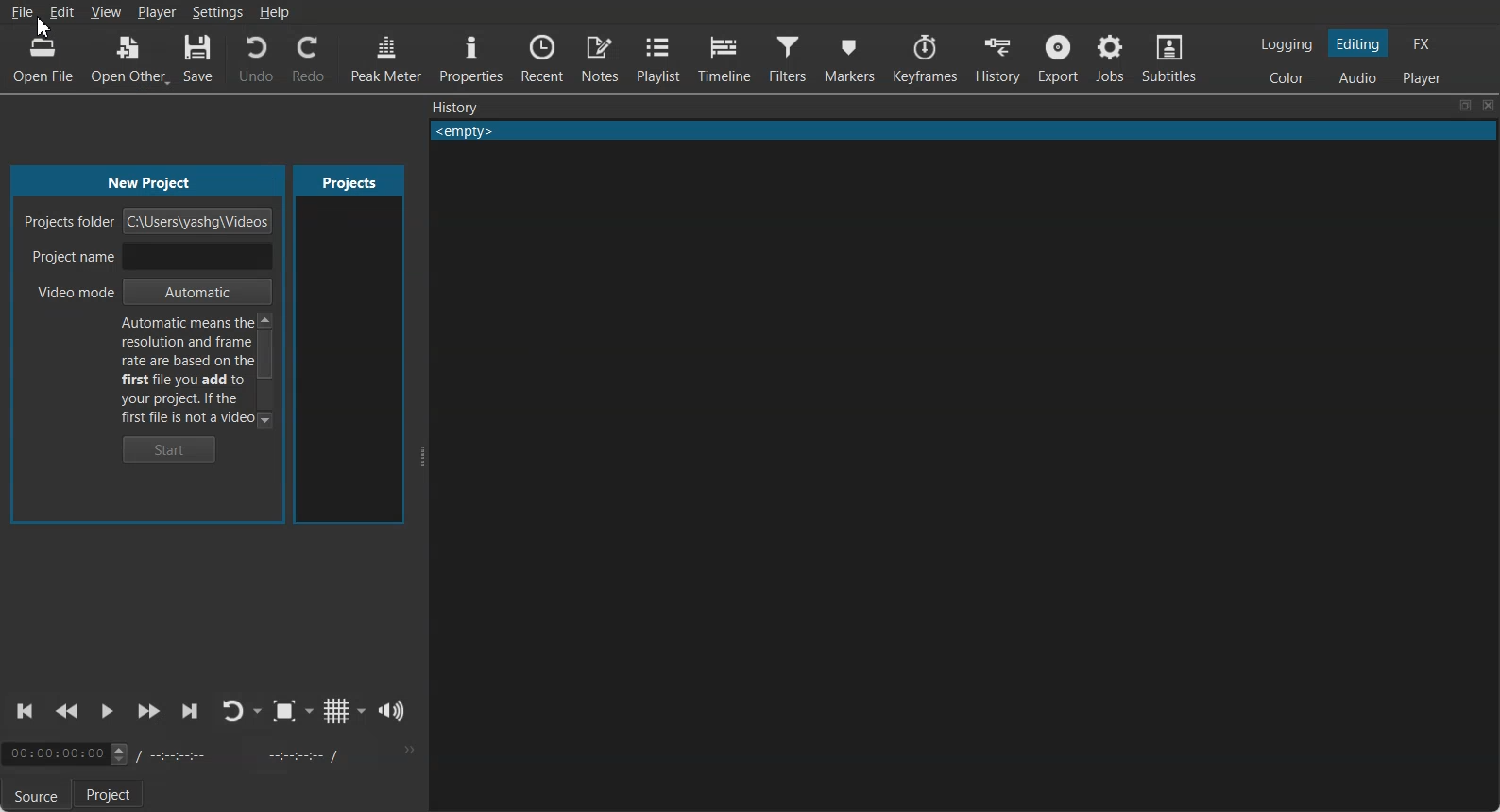 The width and height of the screenshot is (1500, 812). Describe the element at coordinates (185, 370) in the screenshot. I see `Text` at that location.